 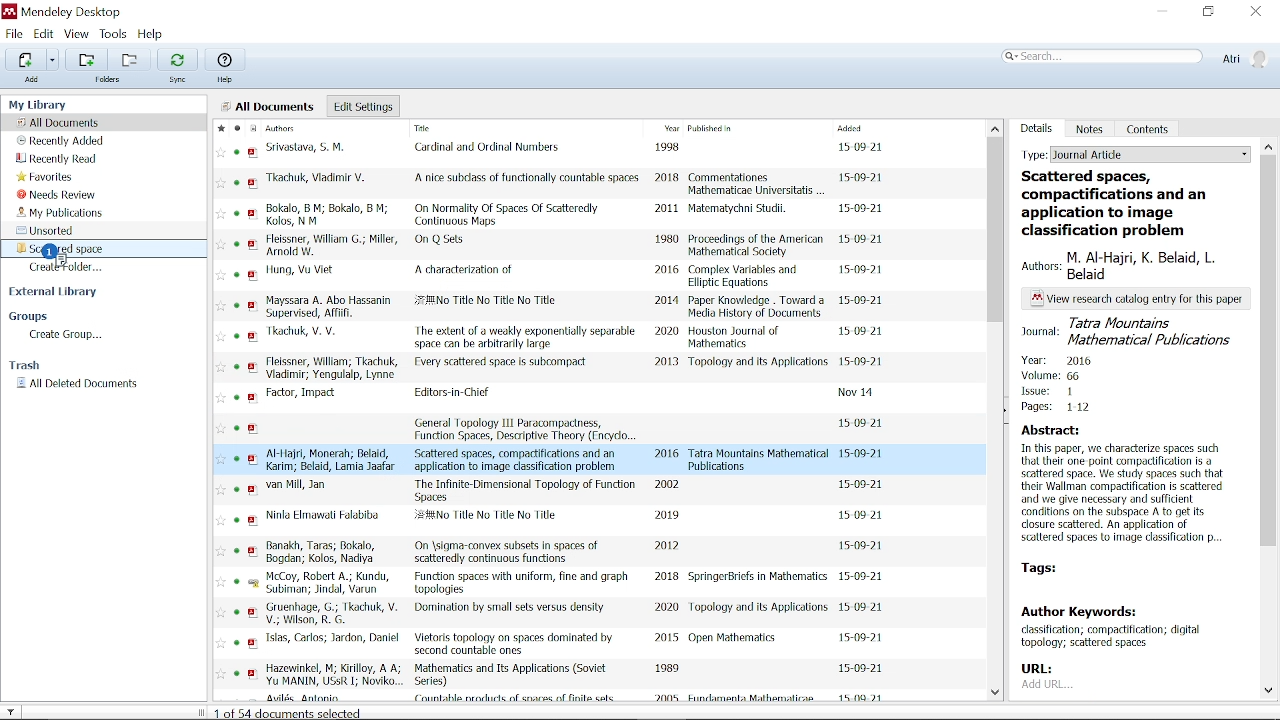 What do you see at coordinates (524, 336) in the screenshot?
I see `title` at bounding box center [524, 336].